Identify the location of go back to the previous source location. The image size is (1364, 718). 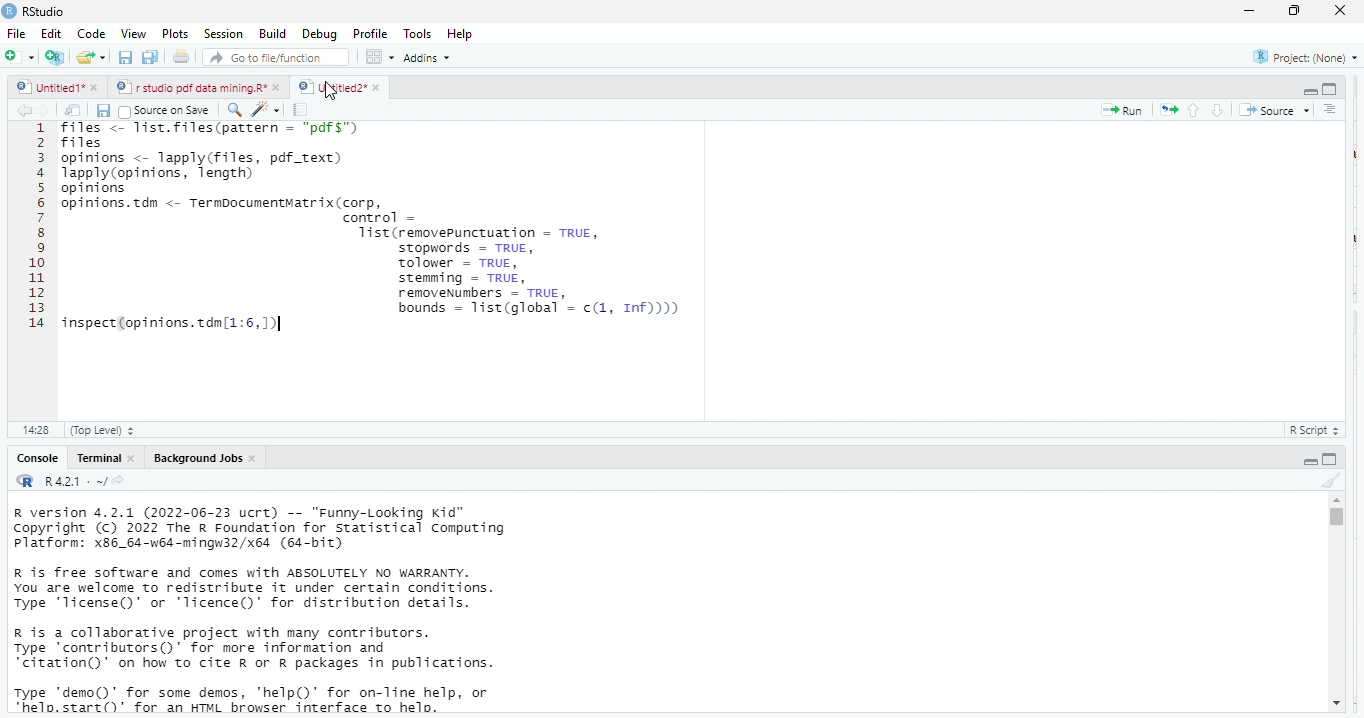
(24, 110).